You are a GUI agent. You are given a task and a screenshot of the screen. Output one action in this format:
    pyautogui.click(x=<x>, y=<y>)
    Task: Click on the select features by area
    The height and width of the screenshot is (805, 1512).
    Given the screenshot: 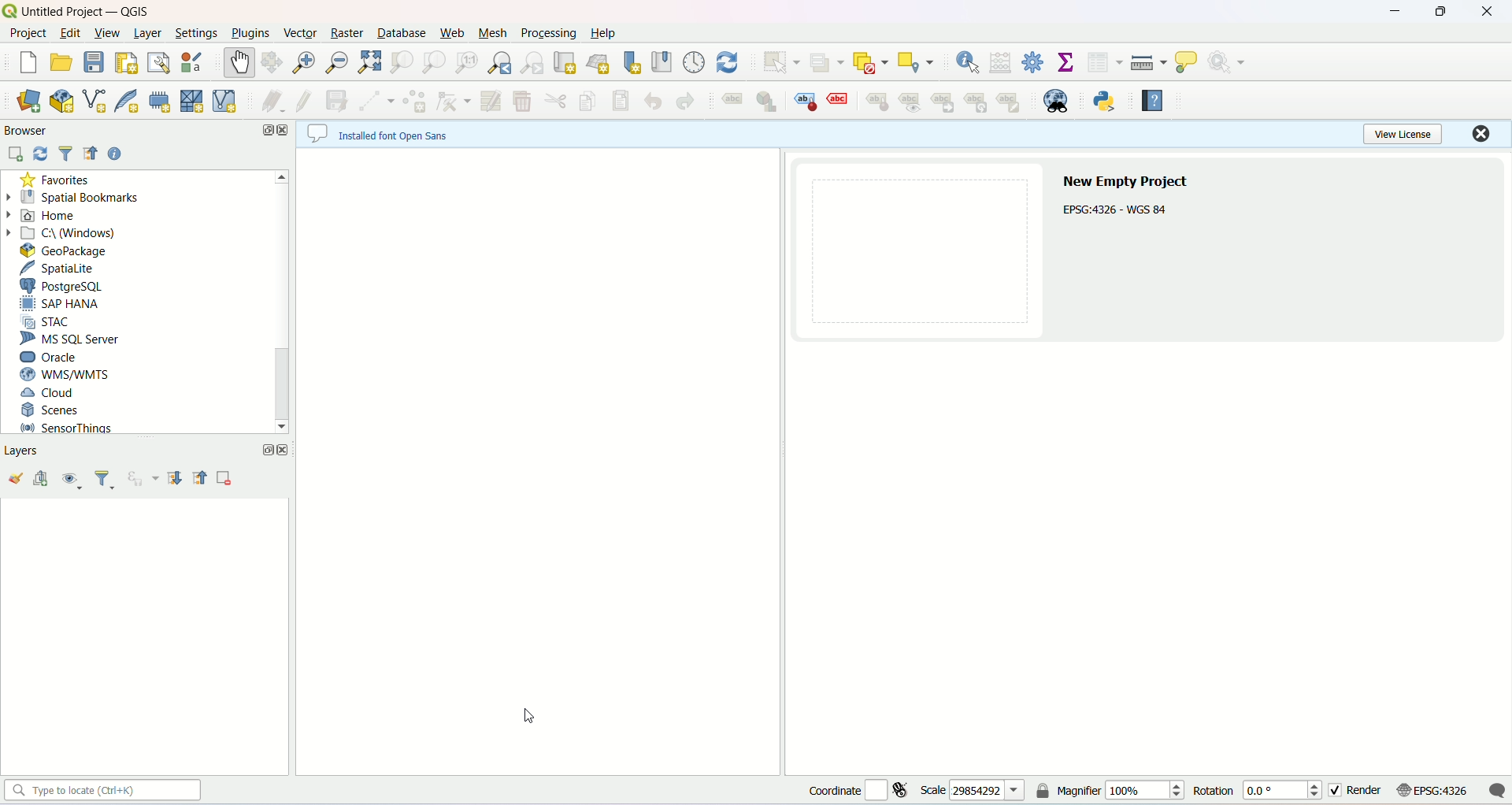 What is the action you would take?
    pyautogui.click(x=782, y=62)
    